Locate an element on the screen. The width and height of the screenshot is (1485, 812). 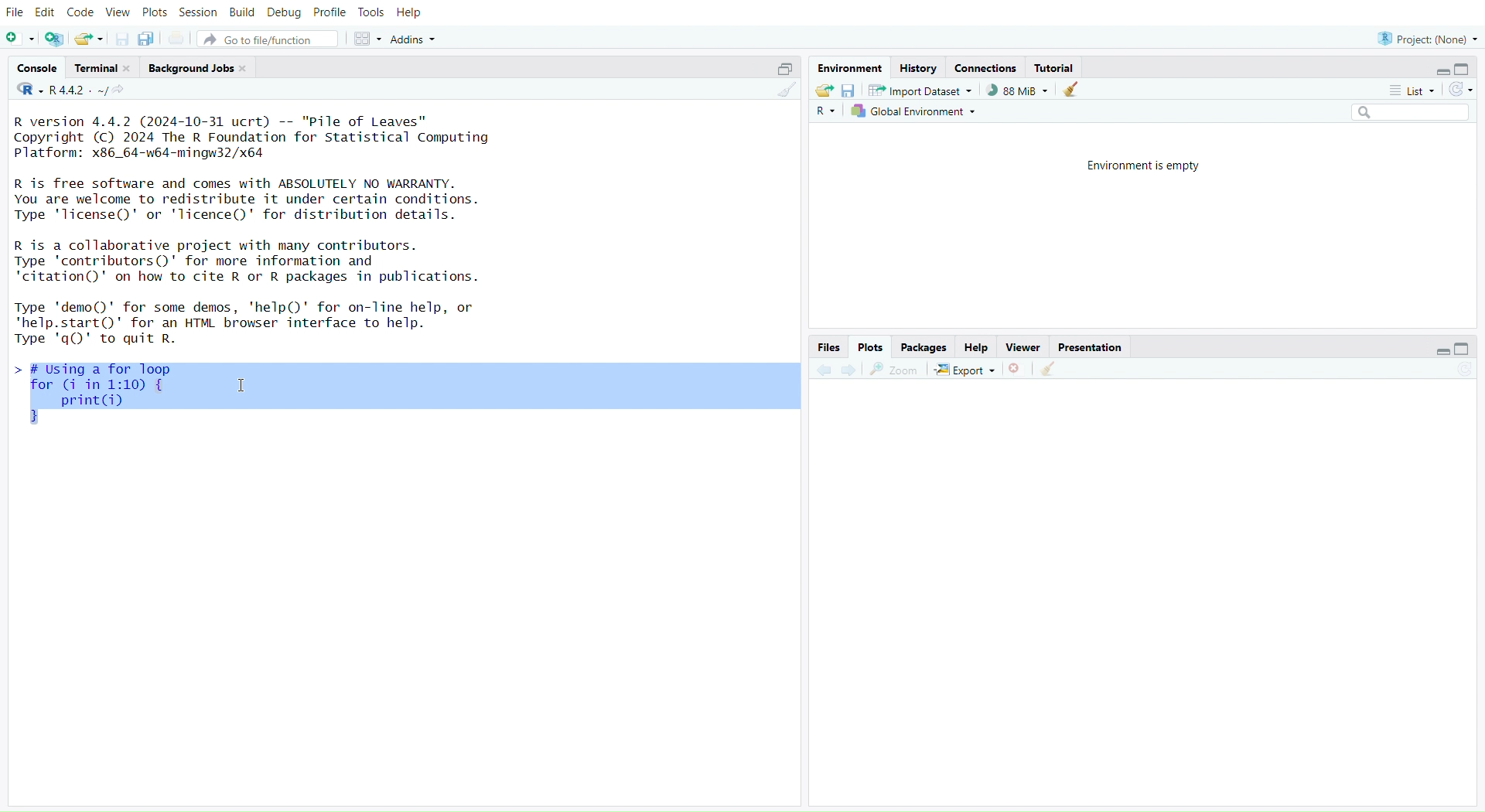
presentation is located at coordinates (1092, 349).